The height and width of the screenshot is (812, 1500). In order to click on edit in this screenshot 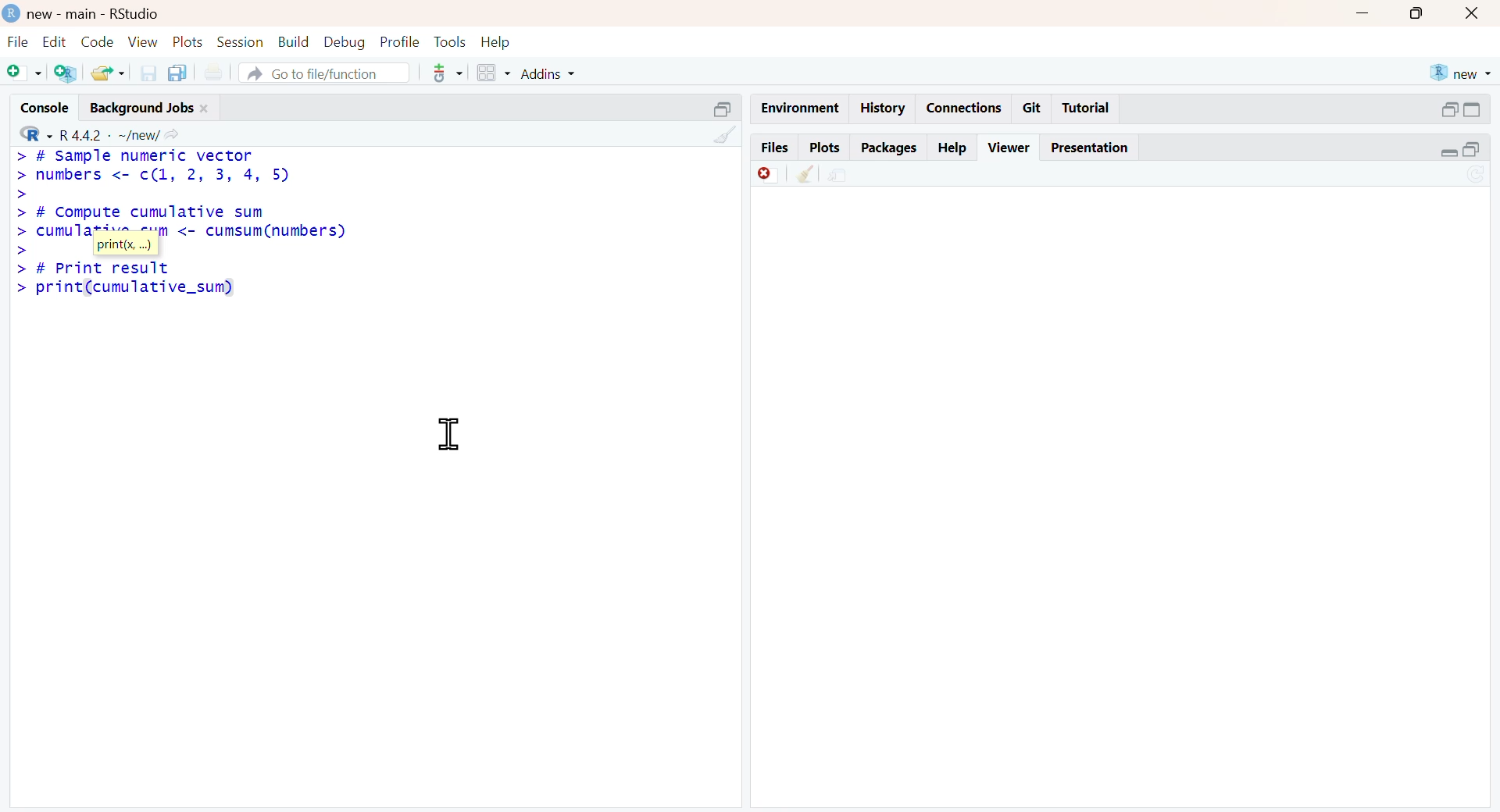, I will do `click(54, 41)`.